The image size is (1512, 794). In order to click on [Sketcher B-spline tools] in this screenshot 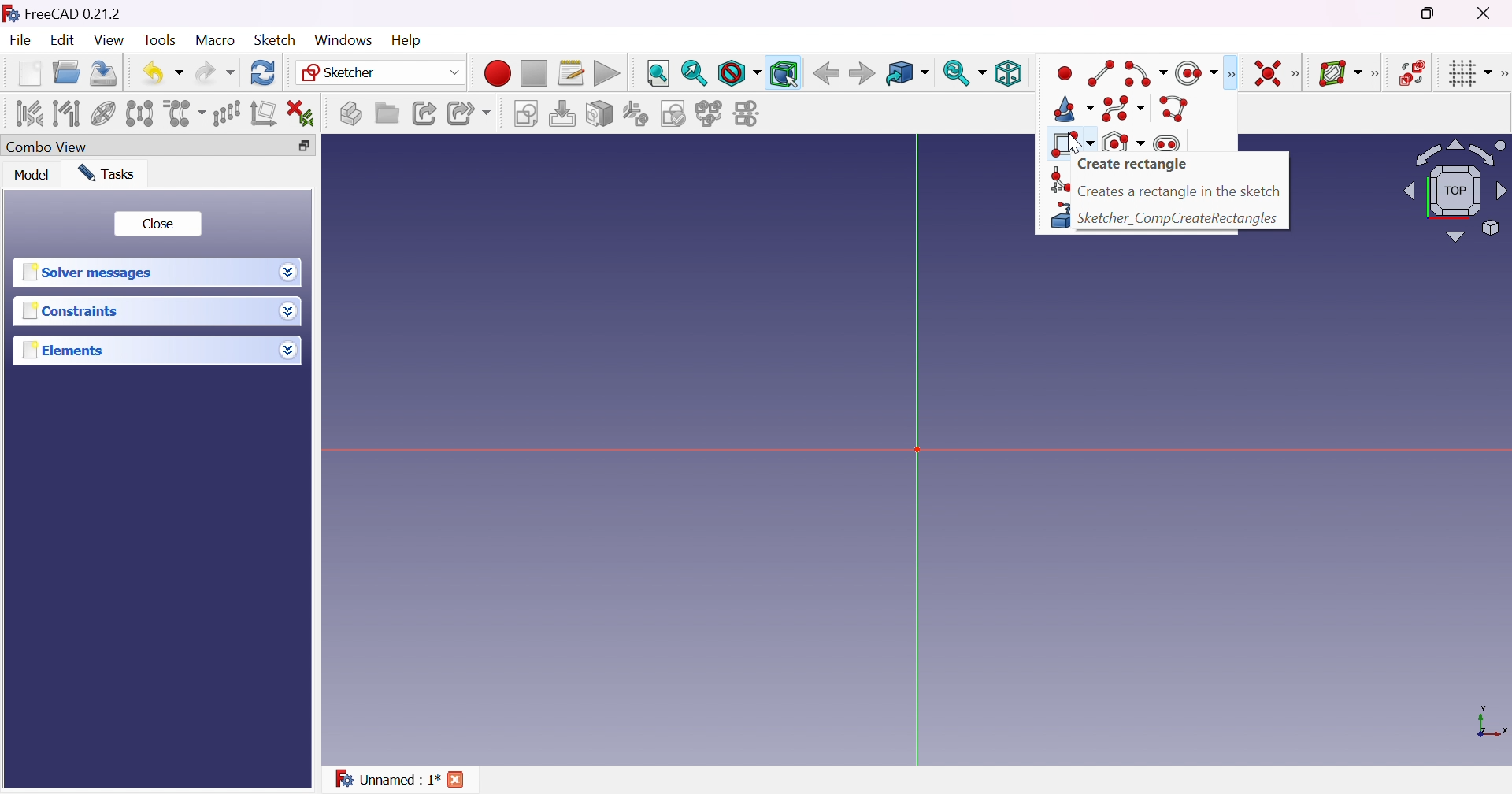, I will do `click(1377, 74)`.